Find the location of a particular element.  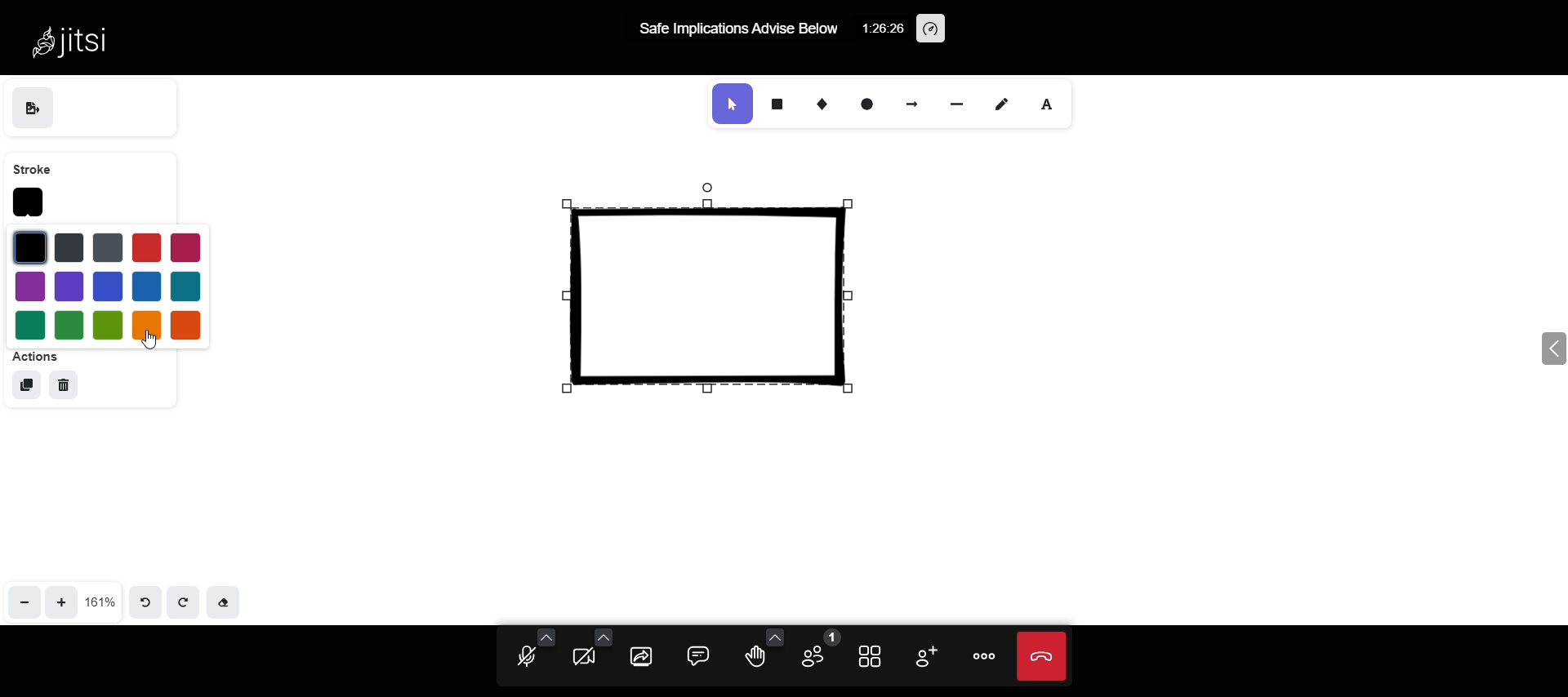

video setting is located at coordinates (603, 627).